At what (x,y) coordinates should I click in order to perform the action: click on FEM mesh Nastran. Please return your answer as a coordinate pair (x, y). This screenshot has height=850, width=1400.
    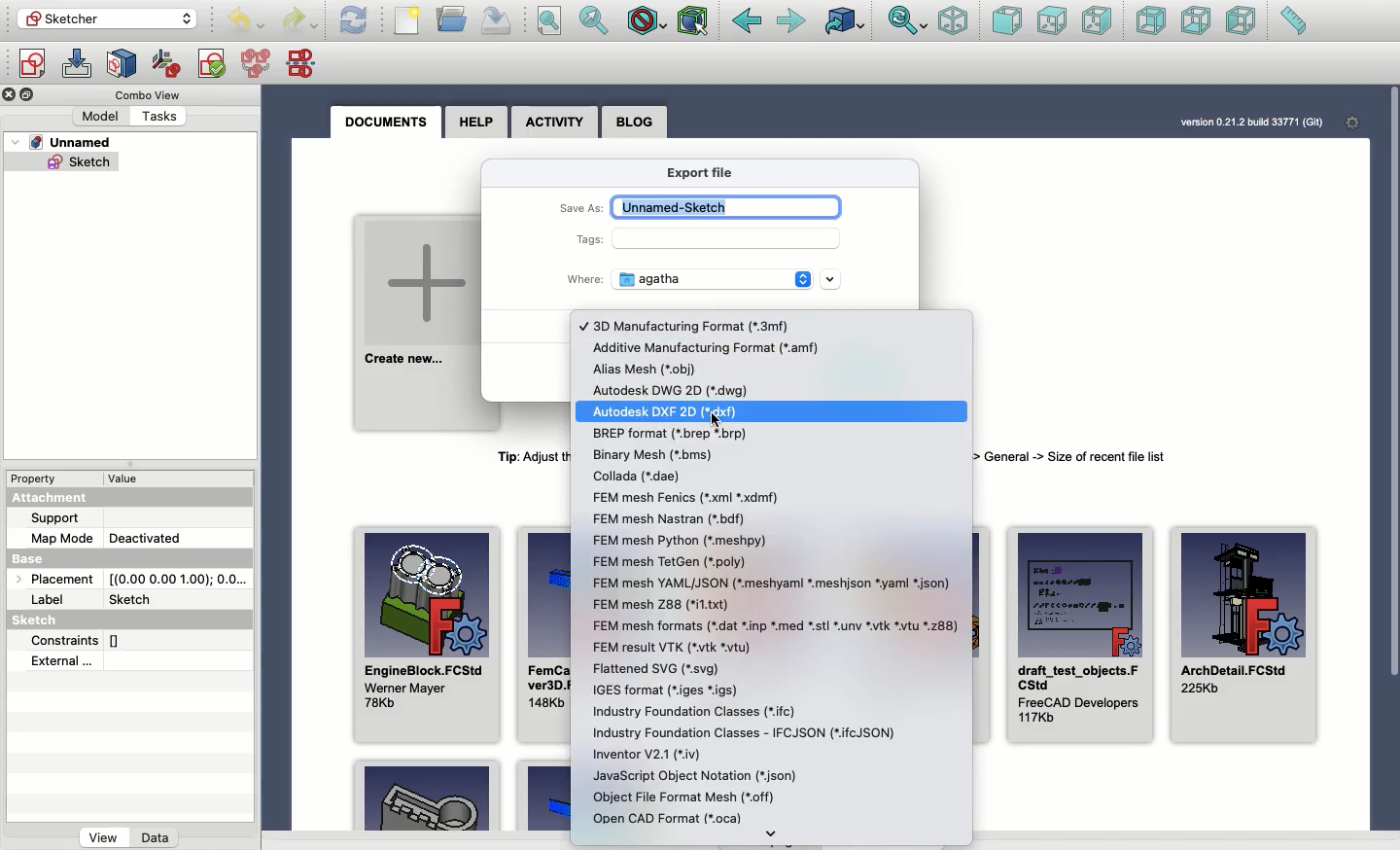
    Looking at the image, I should click on (668, 518).